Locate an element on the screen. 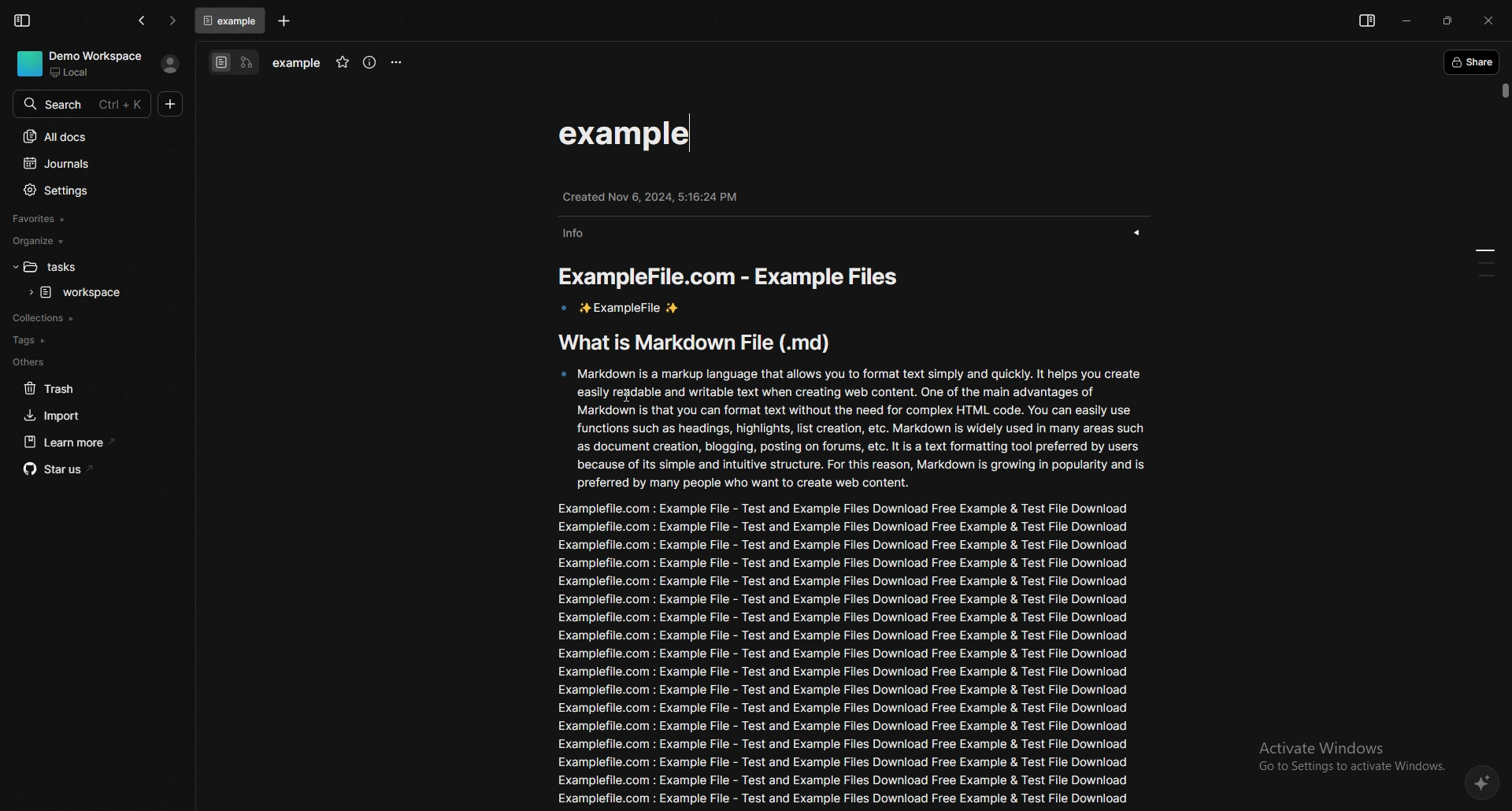 This screenshot has height=811, width=1512. switch is located at coordinates (235, 63).